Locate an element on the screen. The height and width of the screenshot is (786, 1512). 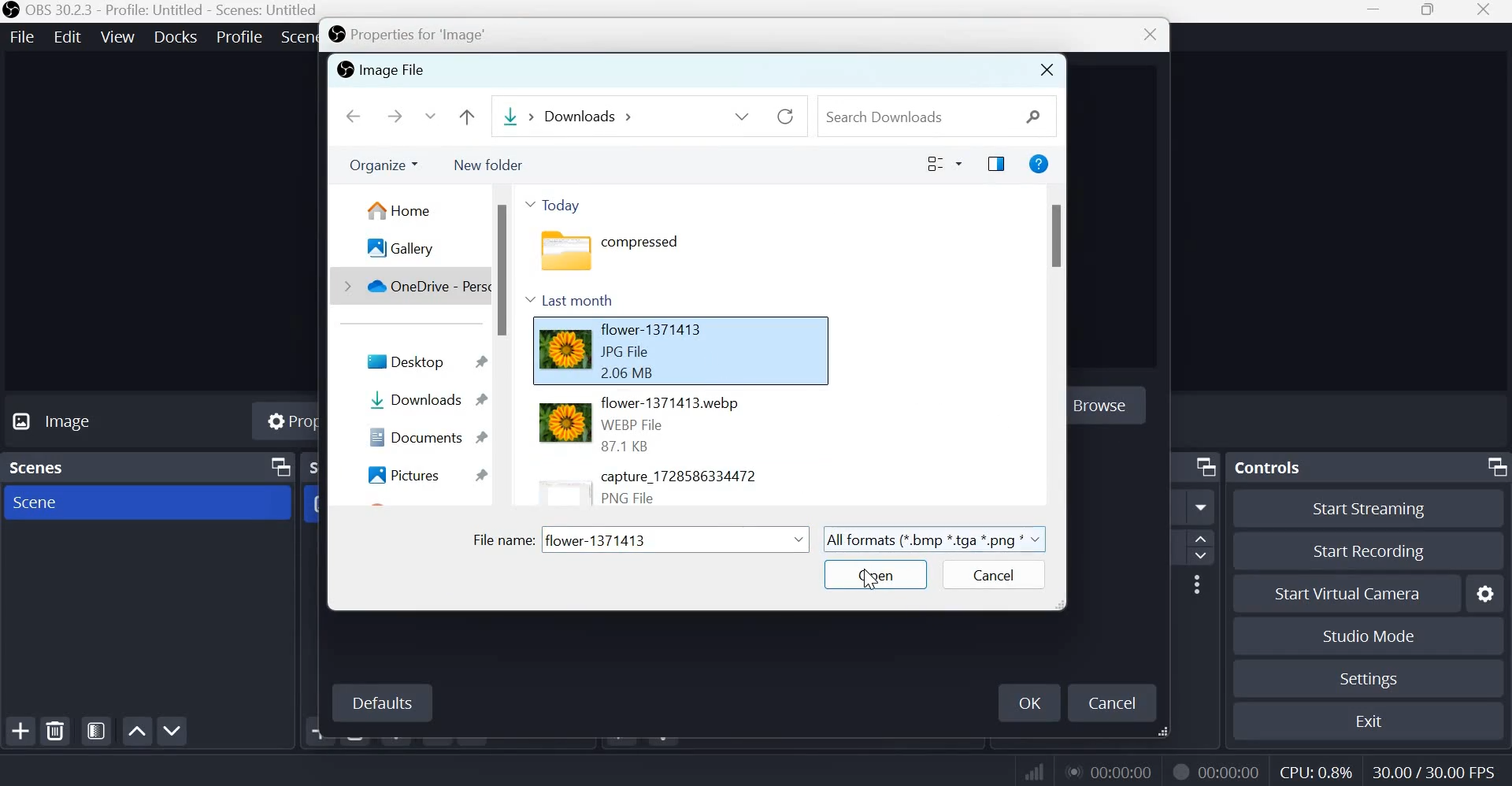
Move scene up is located at coordinates (138, 731).